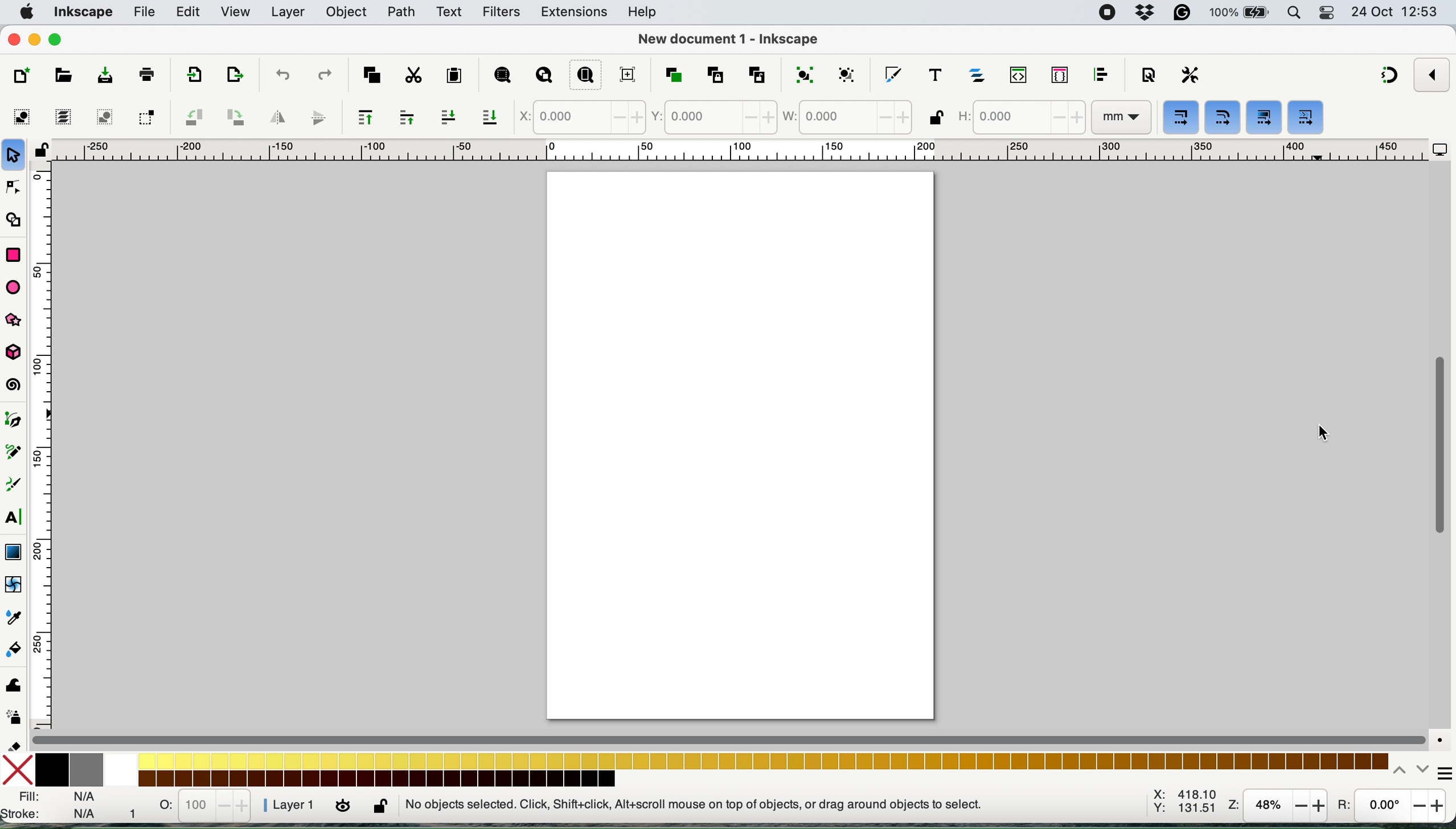  I want to click on No objects selected. Click, Shift + Click, Alt + Scroll mouse on top of objects, or drag around objects to select., so click(698, 803).